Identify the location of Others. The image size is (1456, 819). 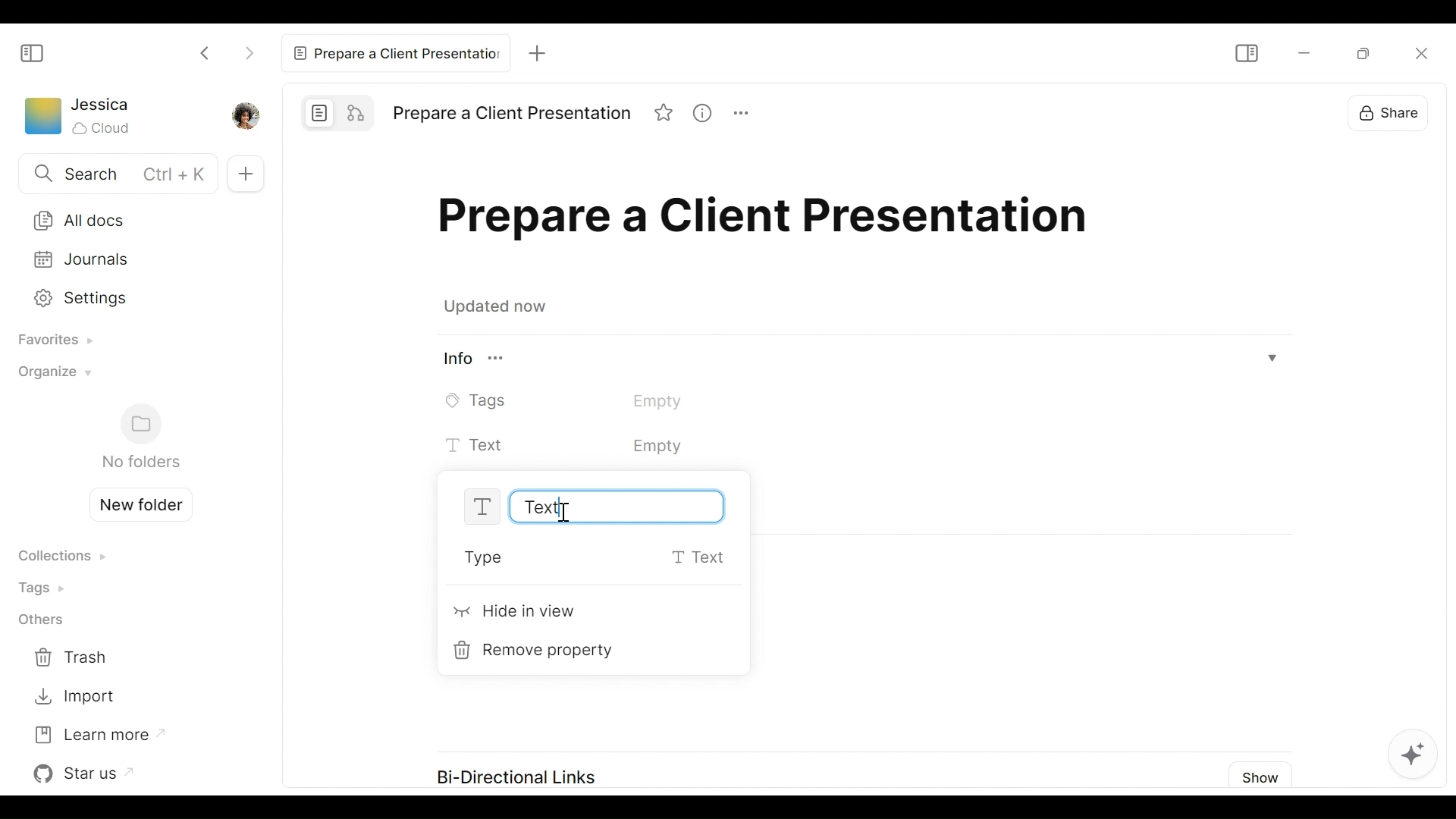
(40, 621).